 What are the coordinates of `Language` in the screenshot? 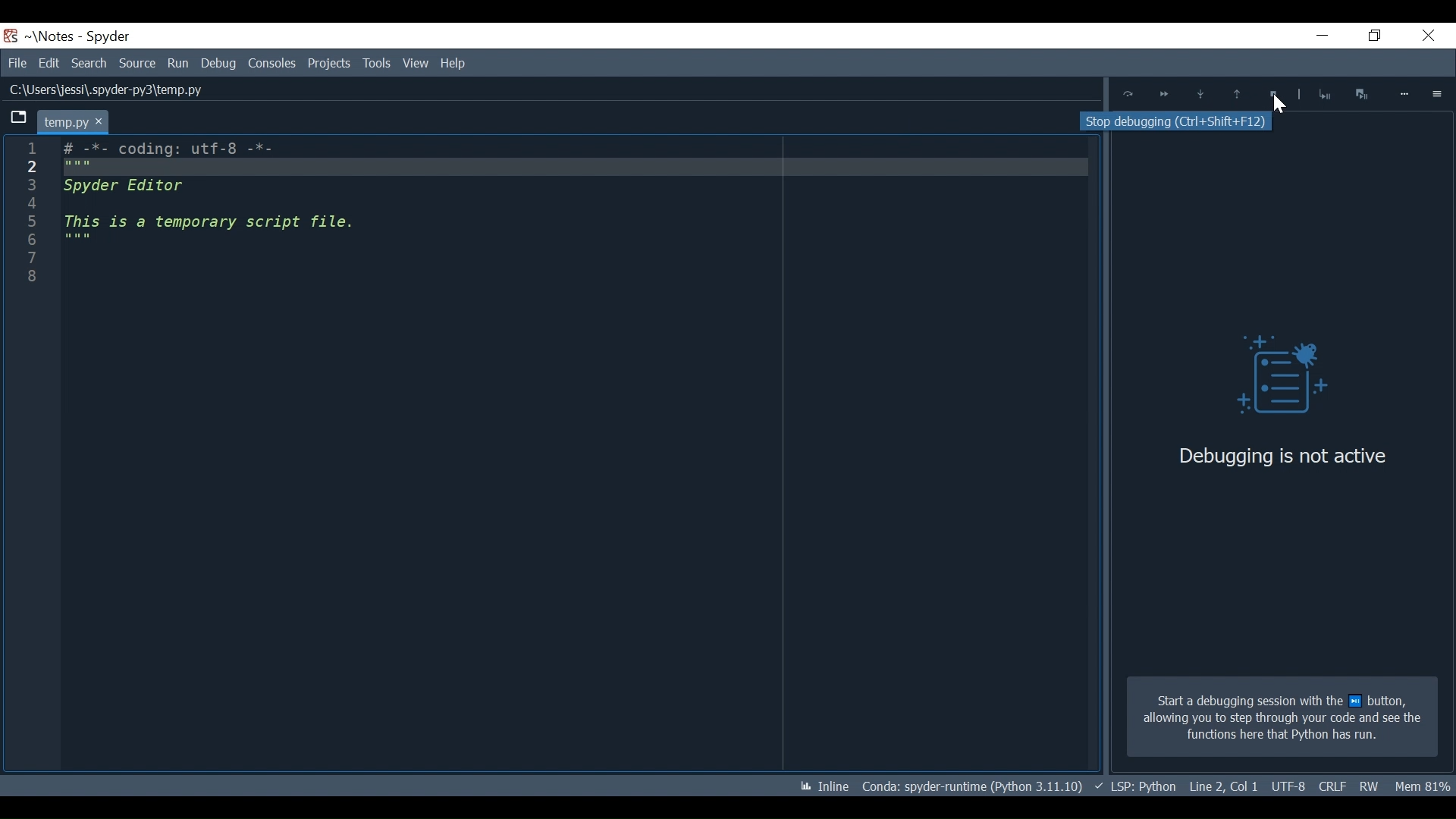 It's located at (1134, 786).